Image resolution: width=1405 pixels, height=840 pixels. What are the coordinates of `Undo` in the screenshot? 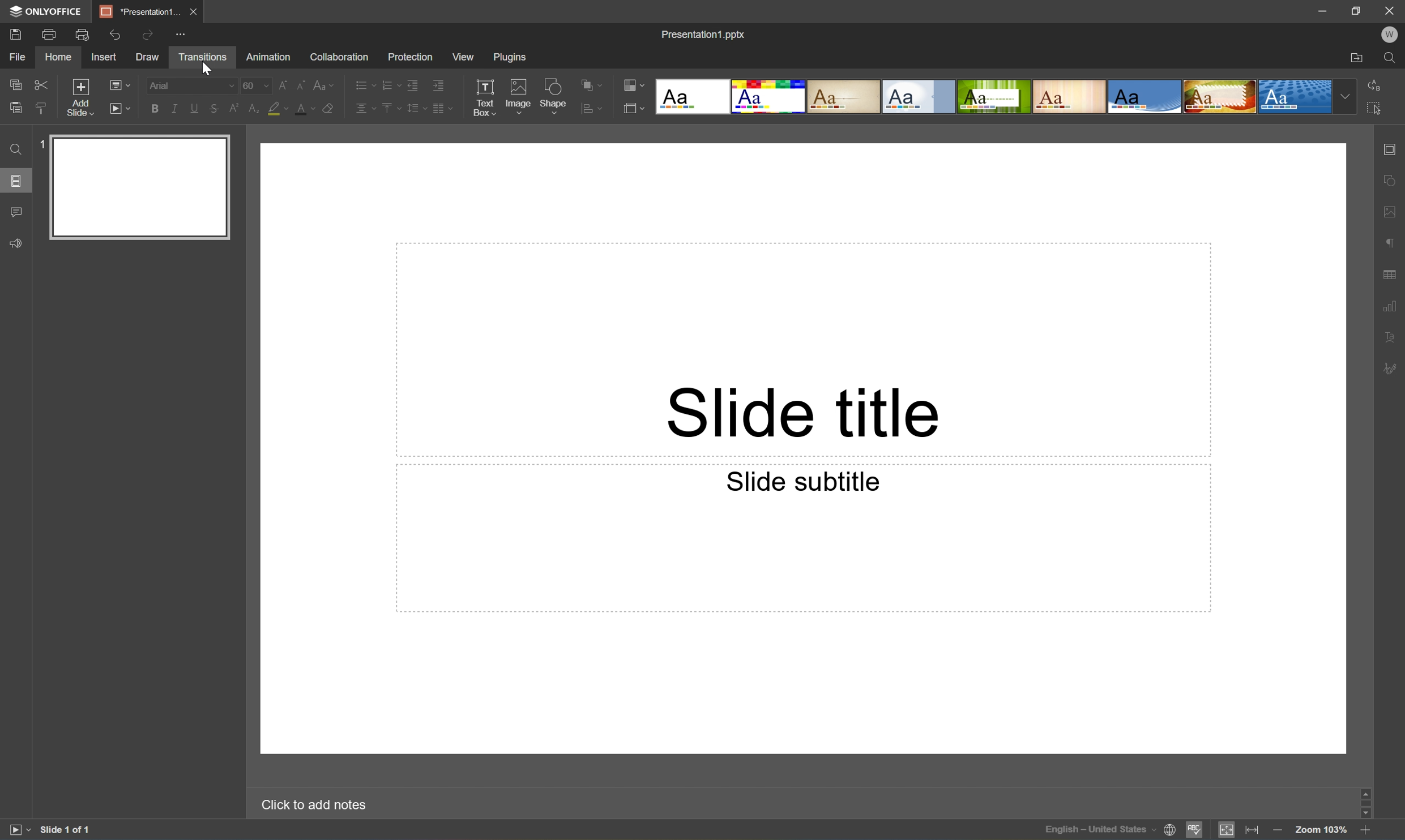 It's located at (115, 33).